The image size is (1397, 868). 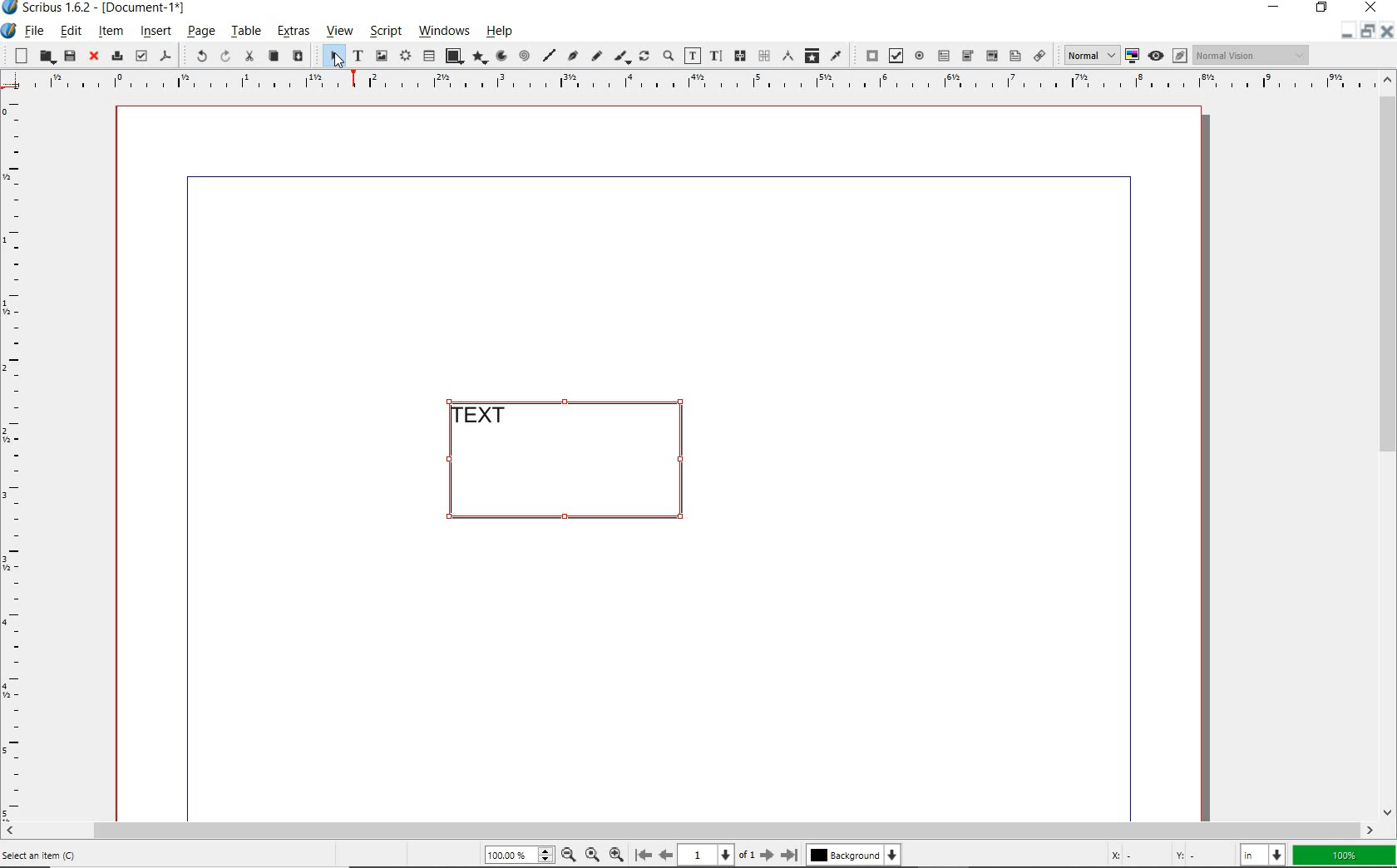 What do you see at coordinates (274, 57) in the screenshot?
I see `copy` at bounding box center [274, 57].